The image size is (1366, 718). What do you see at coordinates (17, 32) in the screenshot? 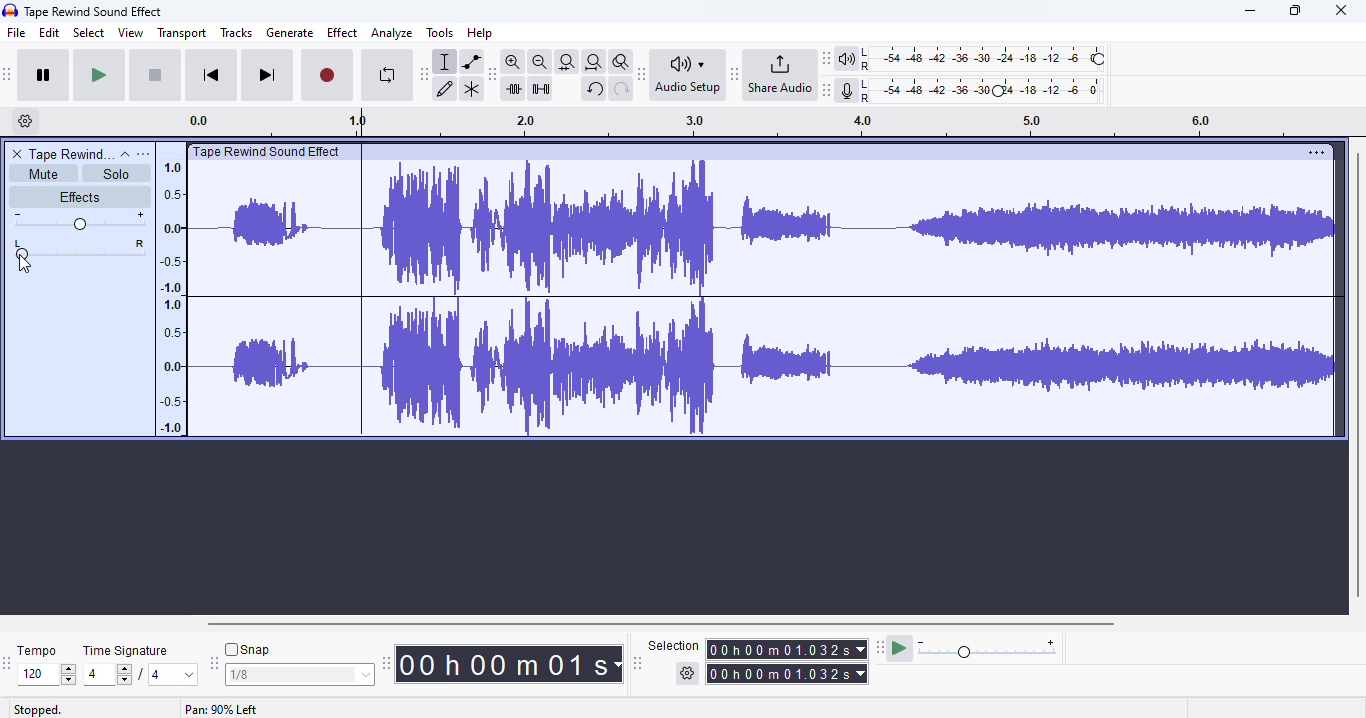
I see `file` at bounding box center [17, 32].